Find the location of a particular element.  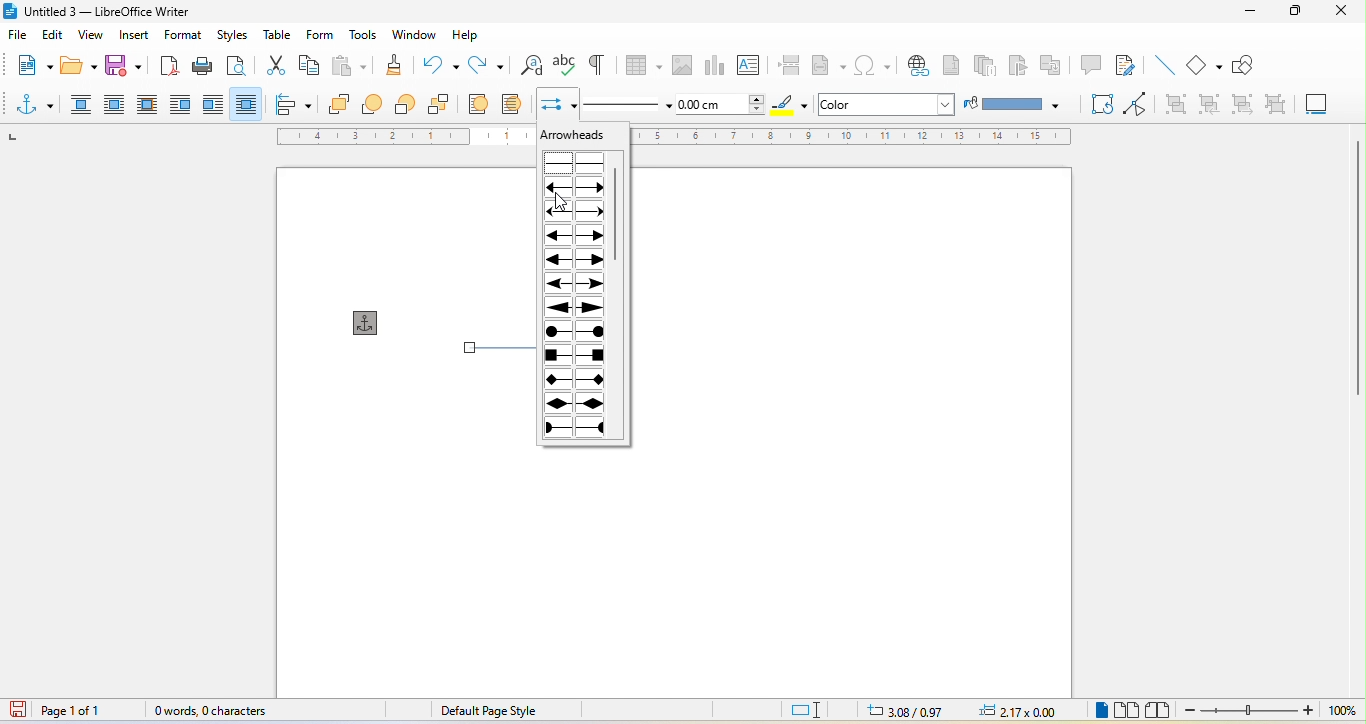

hyperlink is located at coordinates (918, 65).